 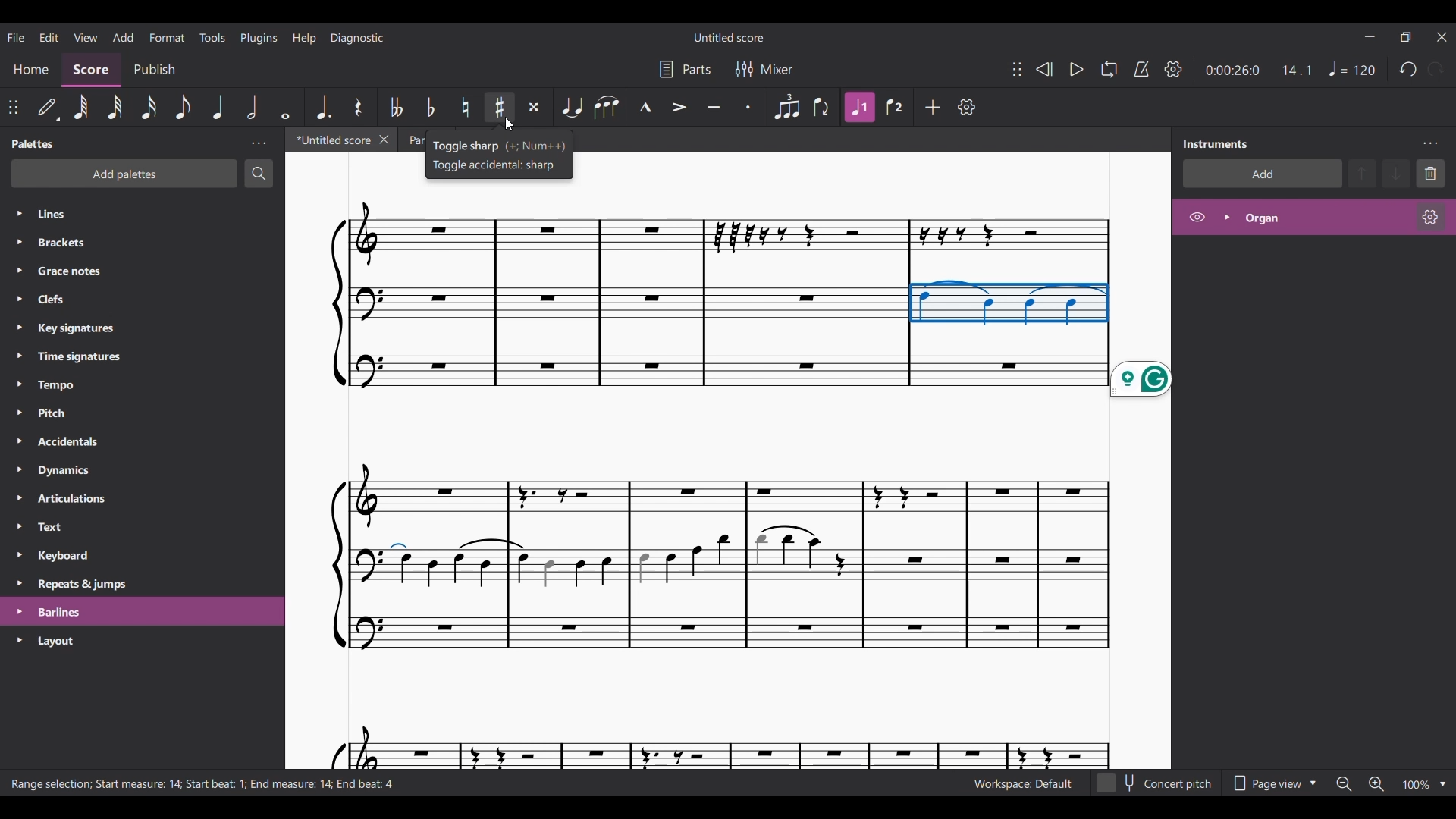 What do you see at coordinates (1197, 217) in the screenshot?
I see `Hide Organ on score` at bounding box center [1197, 217].